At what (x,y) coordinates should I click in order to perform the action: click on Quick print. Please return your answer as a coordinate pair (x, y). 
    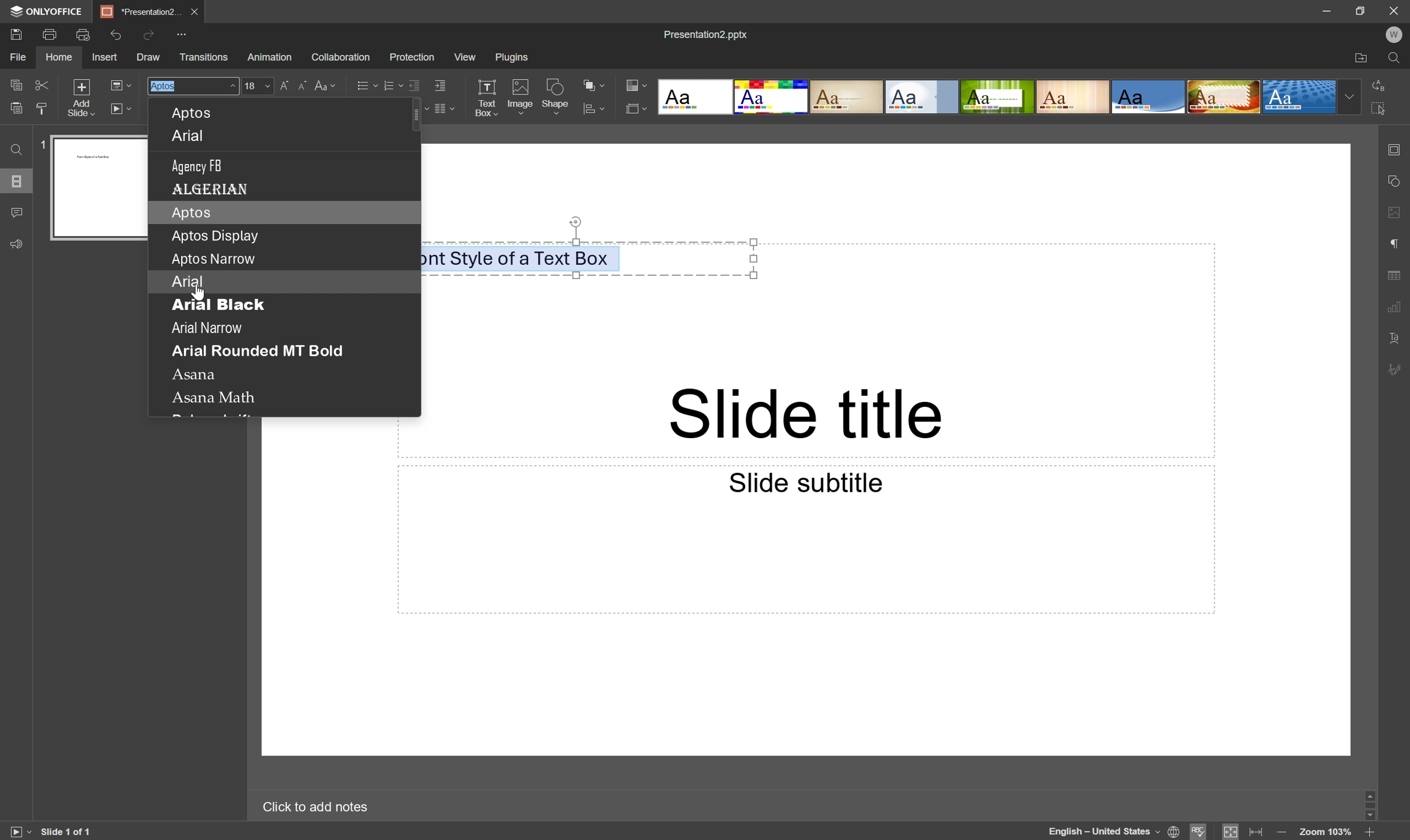
    Looking at the image, I should click on (81, 36).